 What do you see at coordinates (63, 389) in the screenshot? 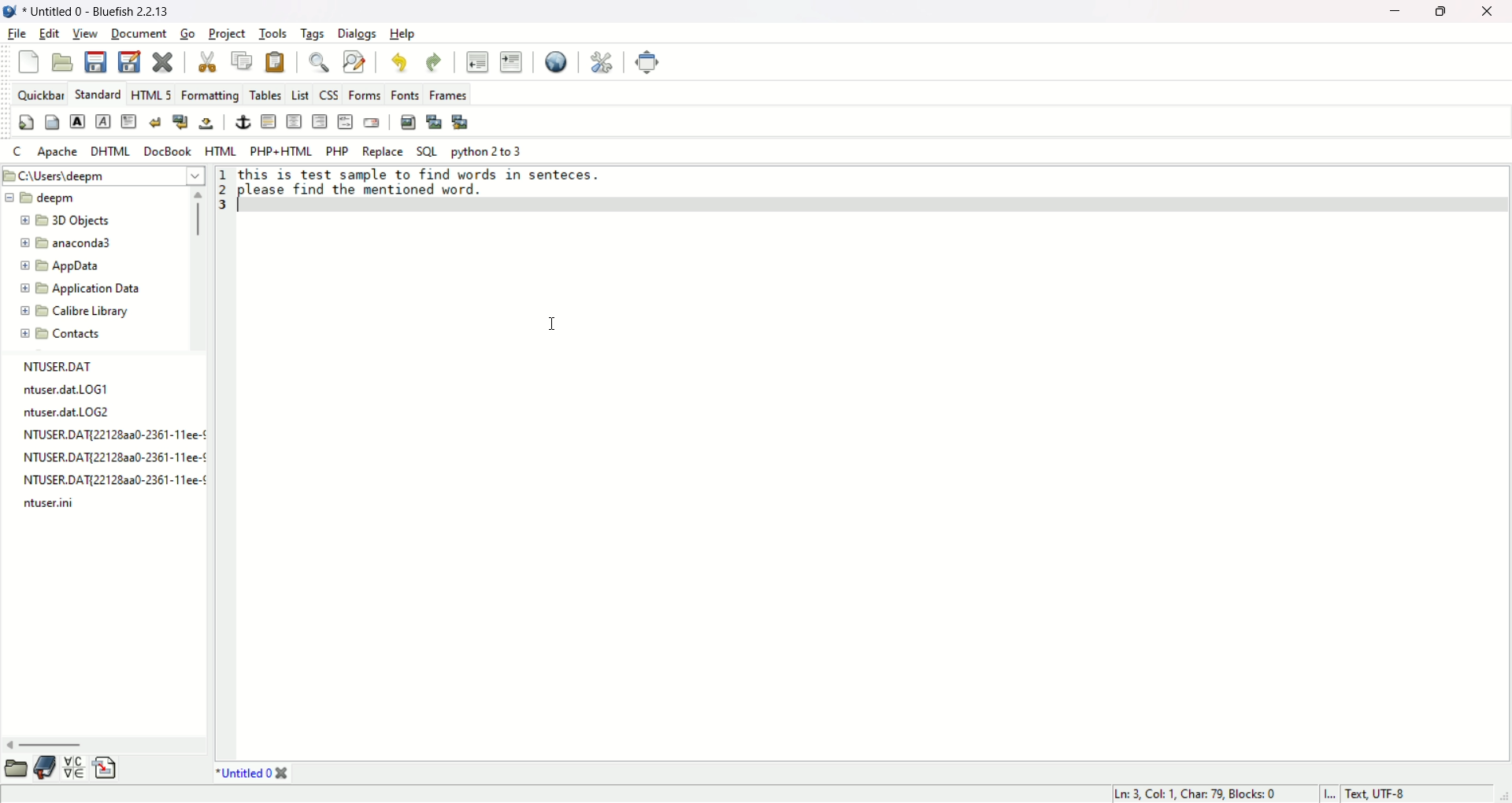
I see `ntuser.dat.LOG1` at bounding box center [63, 389].